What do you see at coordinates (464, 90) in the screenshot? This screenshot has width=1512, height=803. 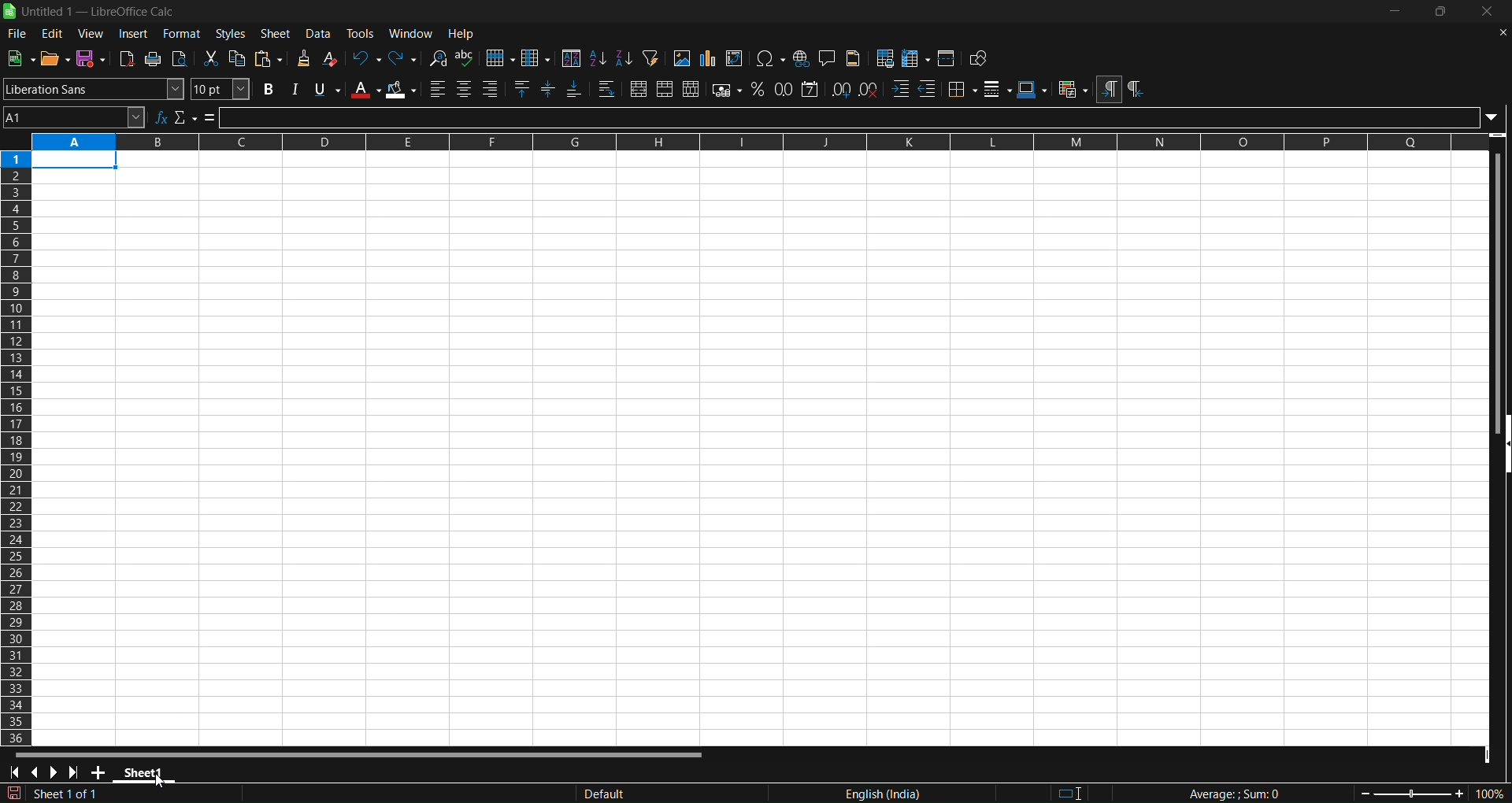 I see `align center` at bounding box center [464, 90].